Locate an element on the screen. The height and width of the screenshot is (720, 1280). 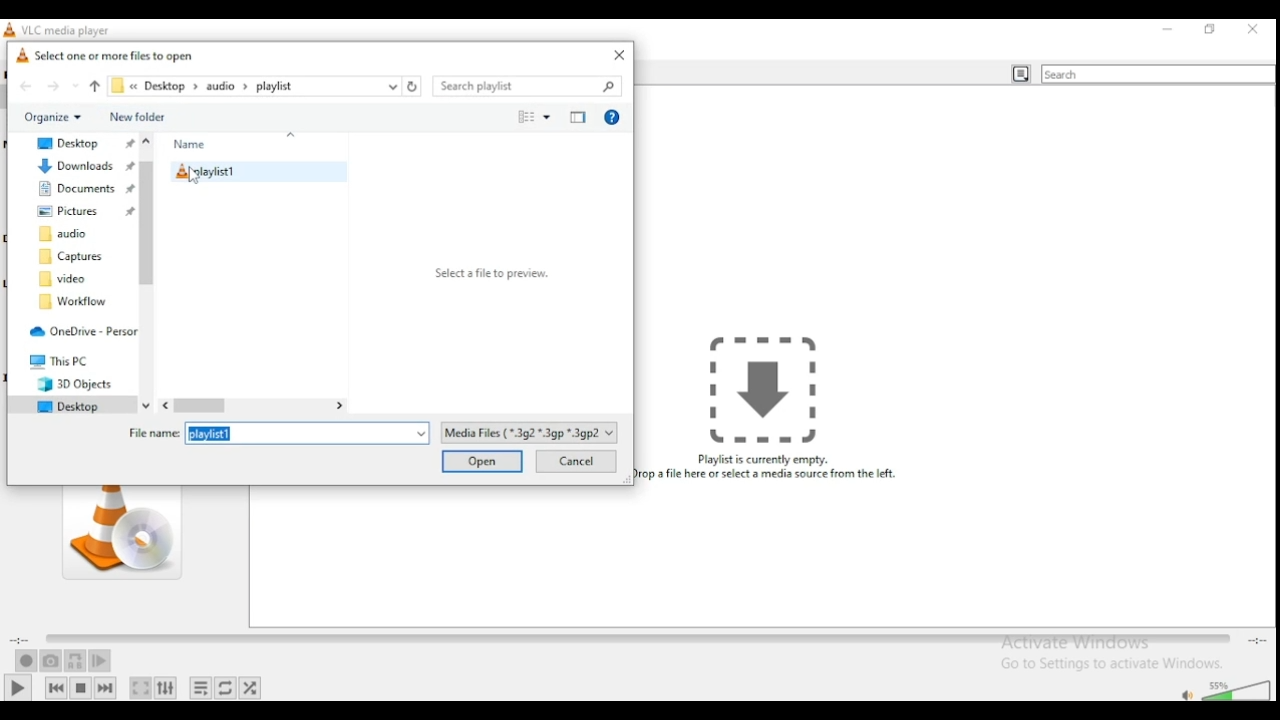
stop is located at coordinates (83, 689).